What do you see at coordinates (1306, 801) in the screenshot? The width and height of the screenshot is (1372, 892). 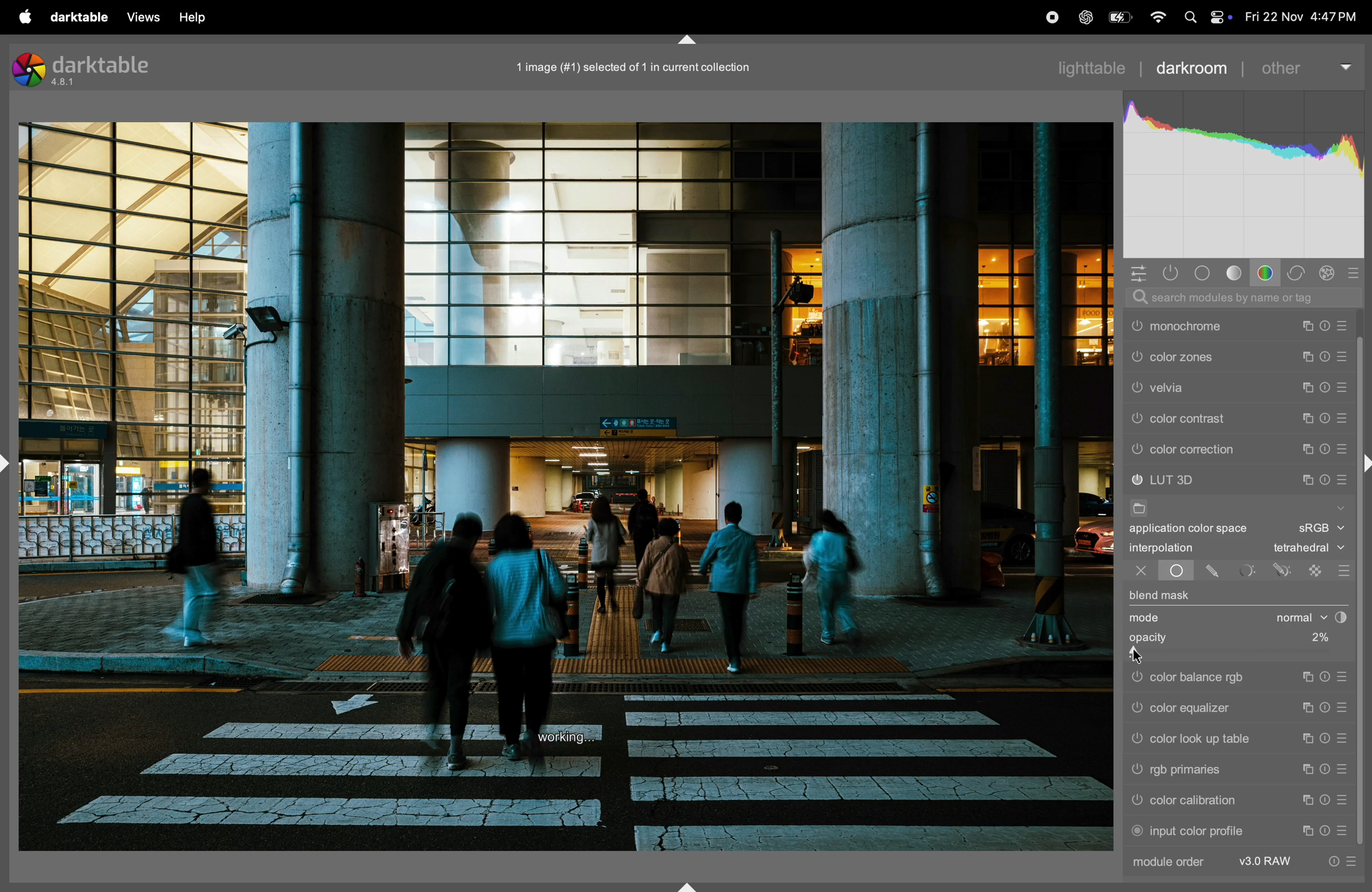 I see `multiple instance actions` at bounding box center [1306, 801].